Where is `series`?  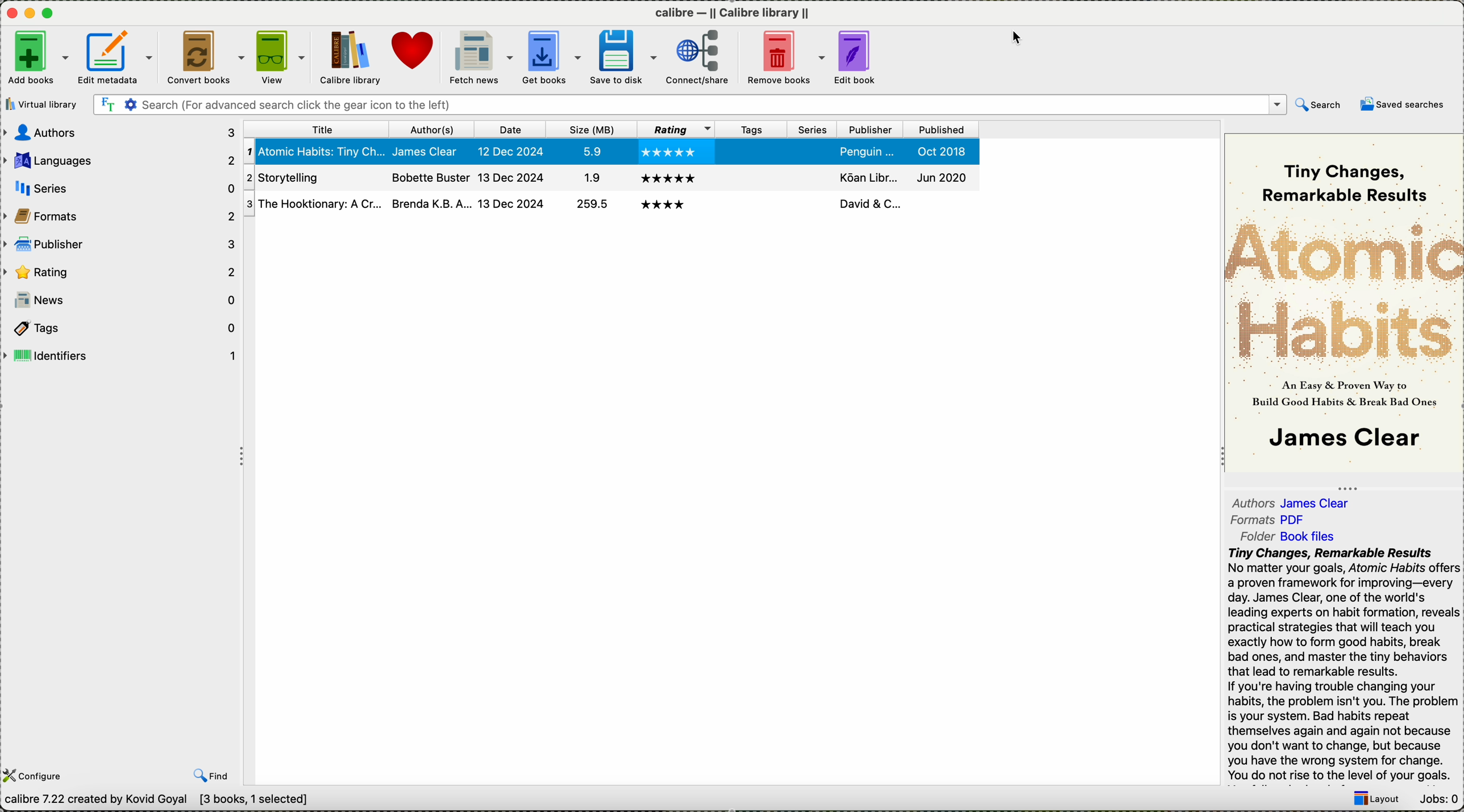
series is located at coordinates (814, 151).